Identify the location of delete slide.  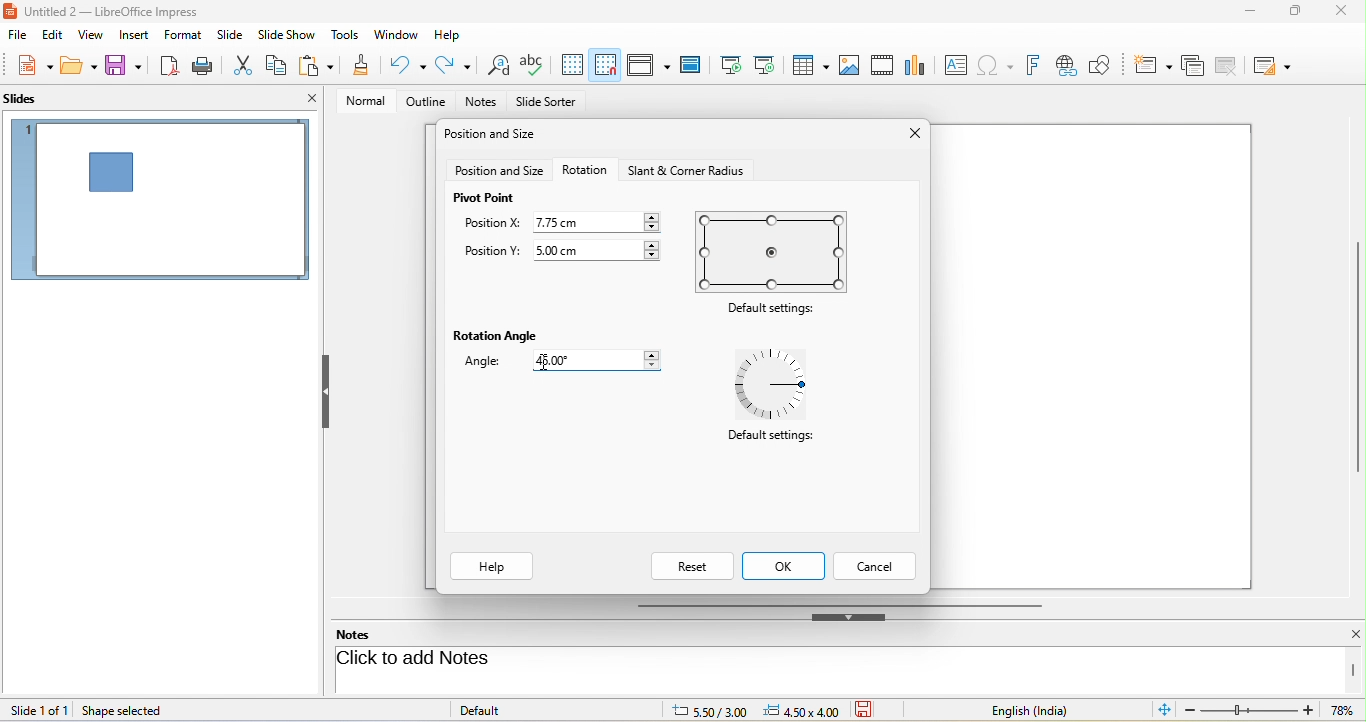
(1232, 66).